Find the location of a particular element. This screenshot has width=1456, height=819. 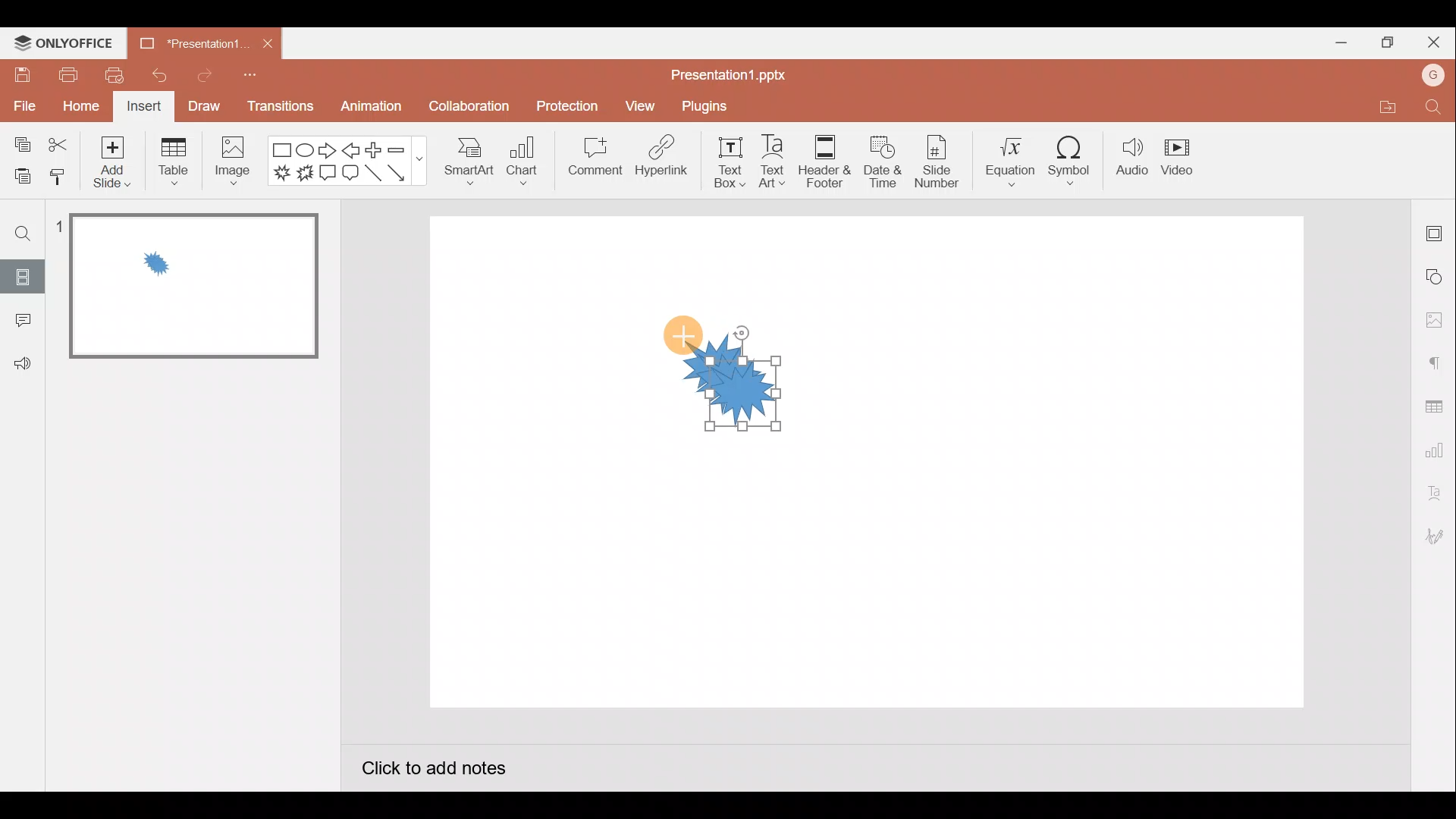

Click to add notes is located at coordinates (434, 765).